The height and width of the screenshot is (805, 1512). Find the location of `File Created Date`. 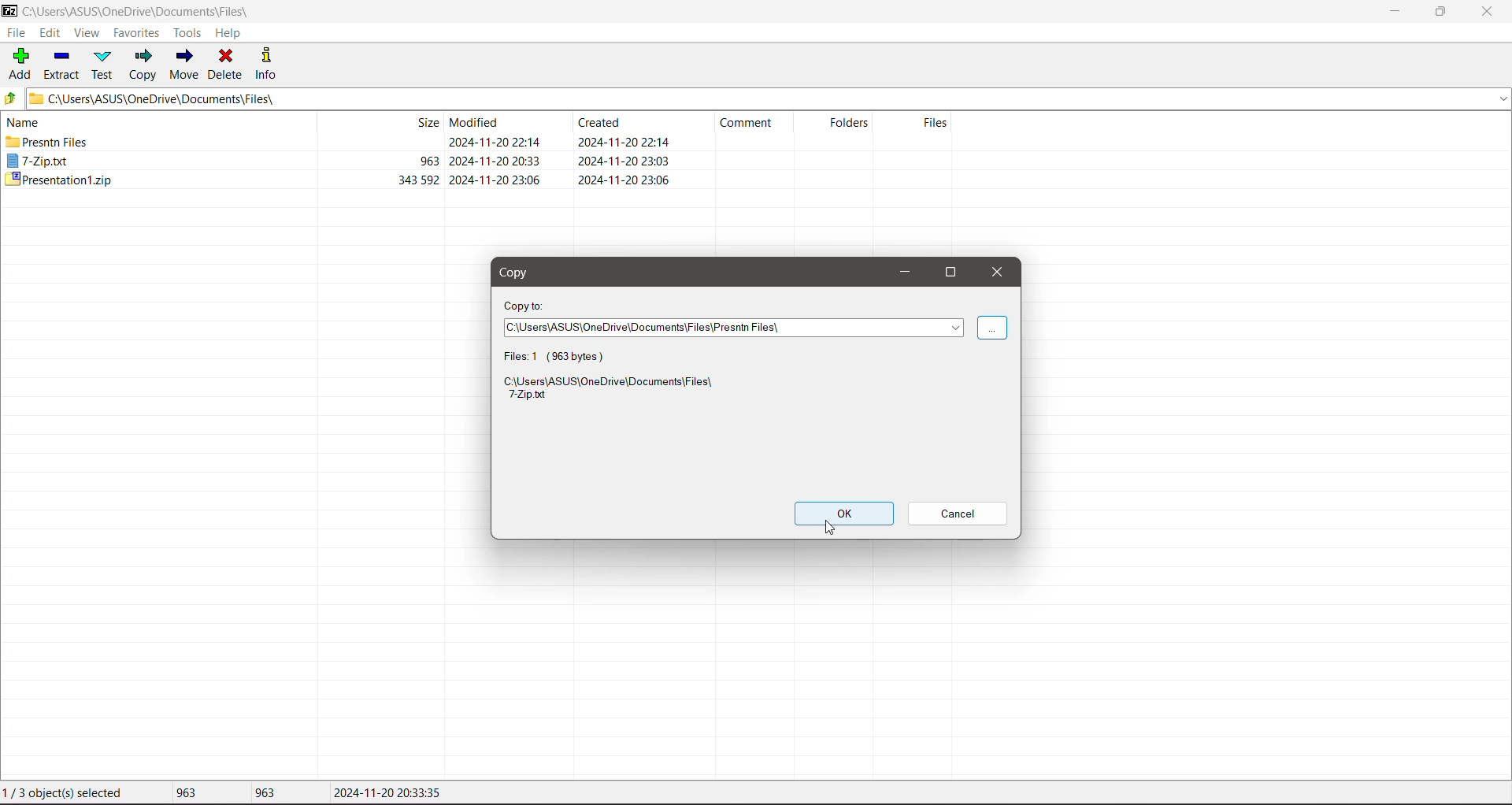

File Created Date is located at coordinates (624, 151).